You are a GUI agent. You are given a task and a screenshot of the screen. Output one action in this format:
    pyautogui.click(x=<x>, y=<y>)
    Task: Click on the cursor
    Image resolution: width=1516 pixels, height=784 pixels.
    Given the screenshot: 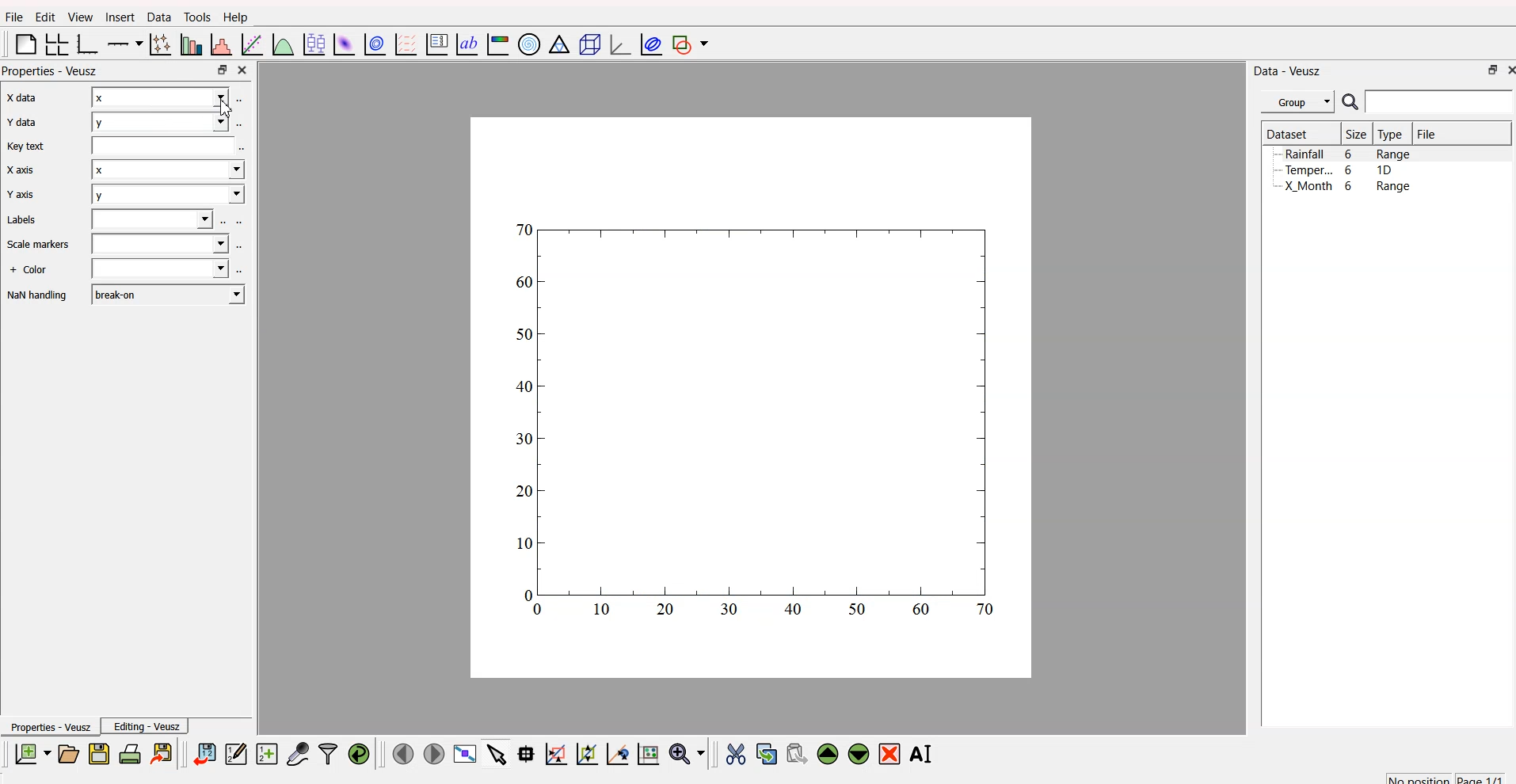 What is the action you would take?
    pyautogui.click(x=229, y=108)
    